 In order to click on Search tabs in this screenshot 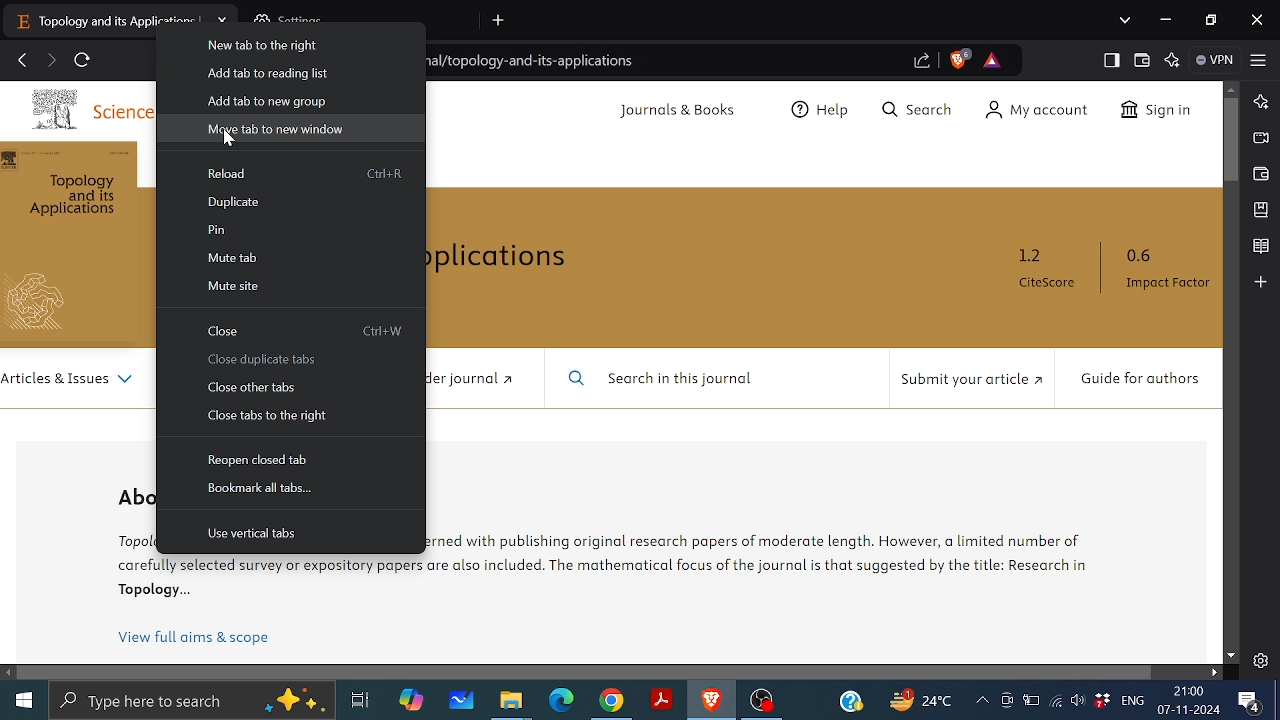, I will do `click(500, 20)`.